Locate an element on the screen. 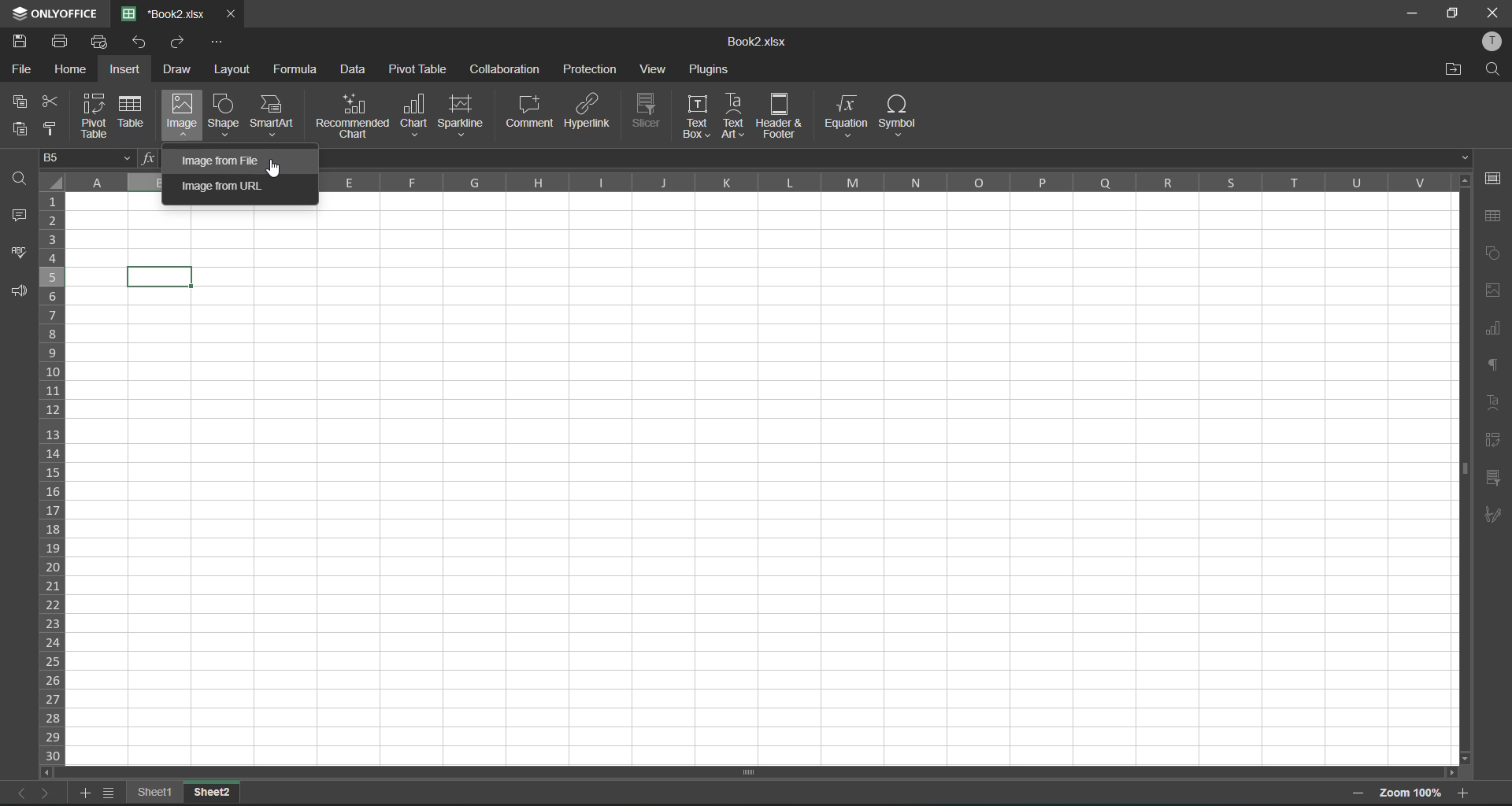 Image resolution: width=1512 pixels, height=806 pixels. shape is located at coordinates (224, 115).